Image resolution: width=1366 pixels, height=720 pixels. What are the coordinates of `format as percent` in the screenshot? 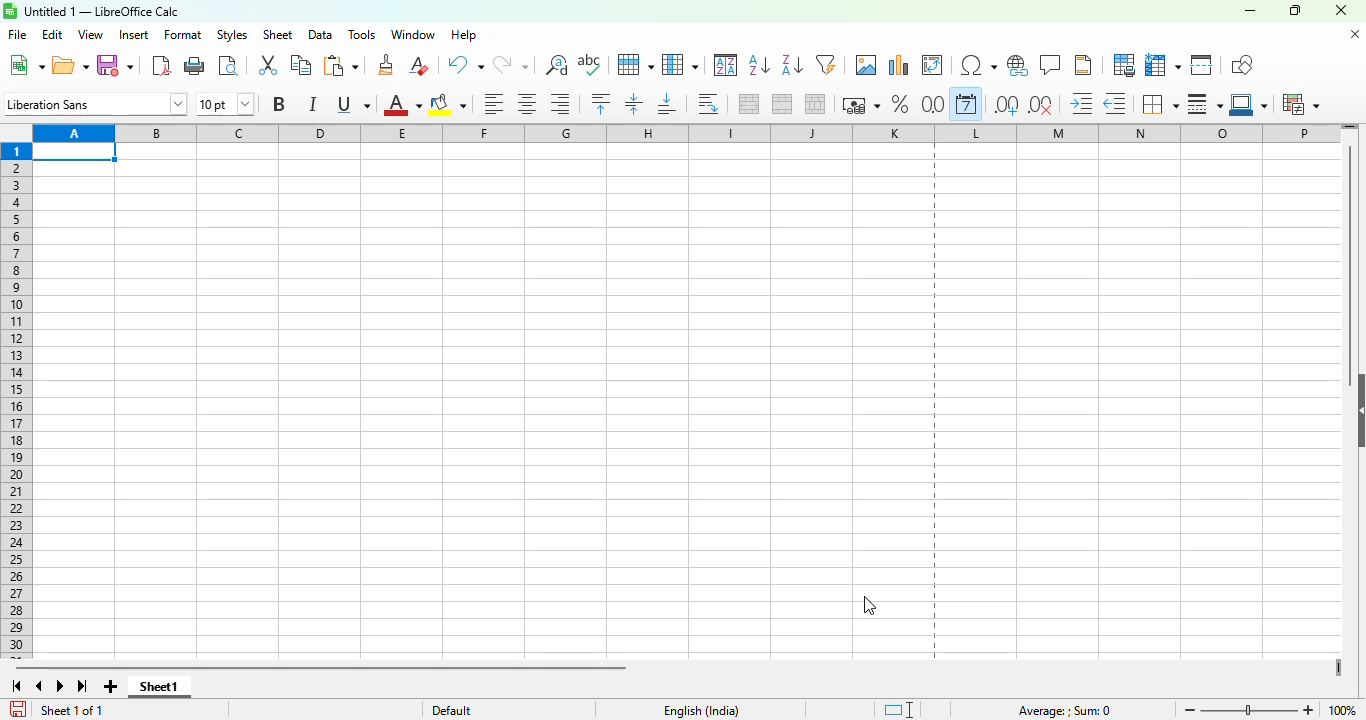 It's located at (901, 104).